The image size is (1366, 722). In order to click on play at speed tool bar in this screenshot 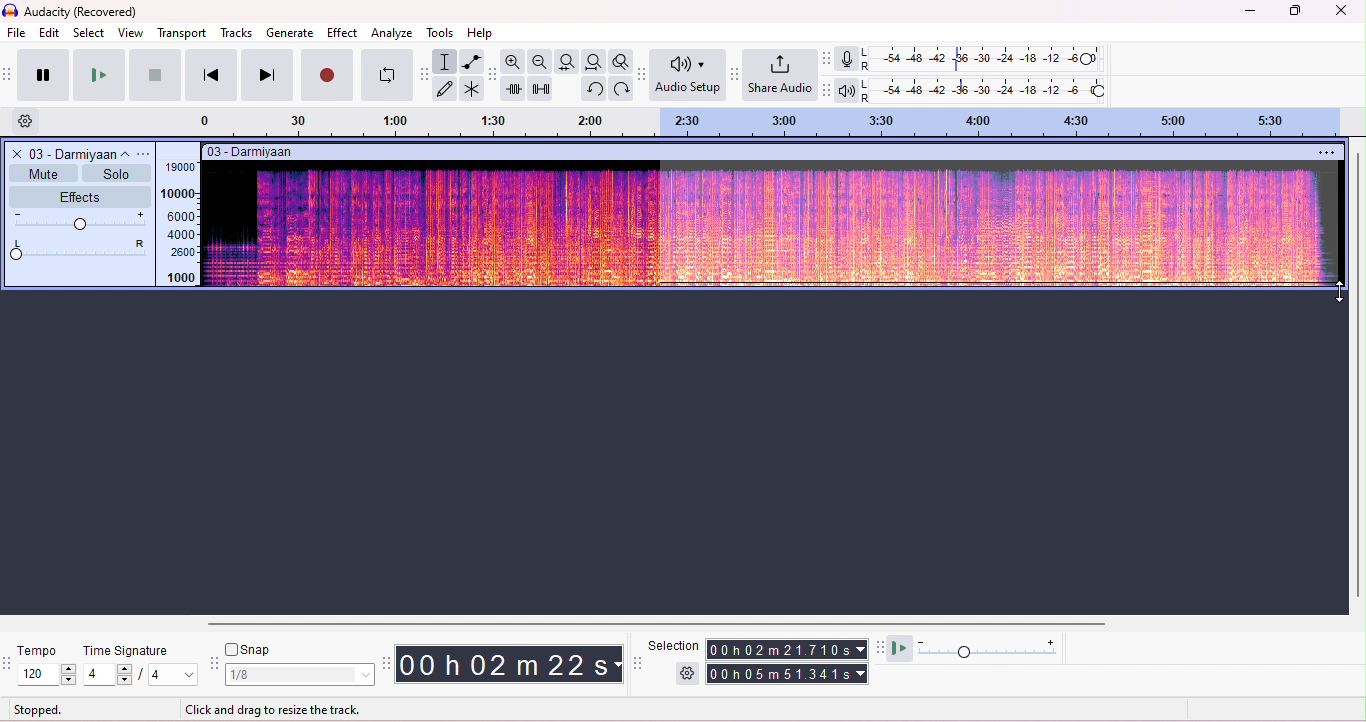, I will do `click(879, 647)`.